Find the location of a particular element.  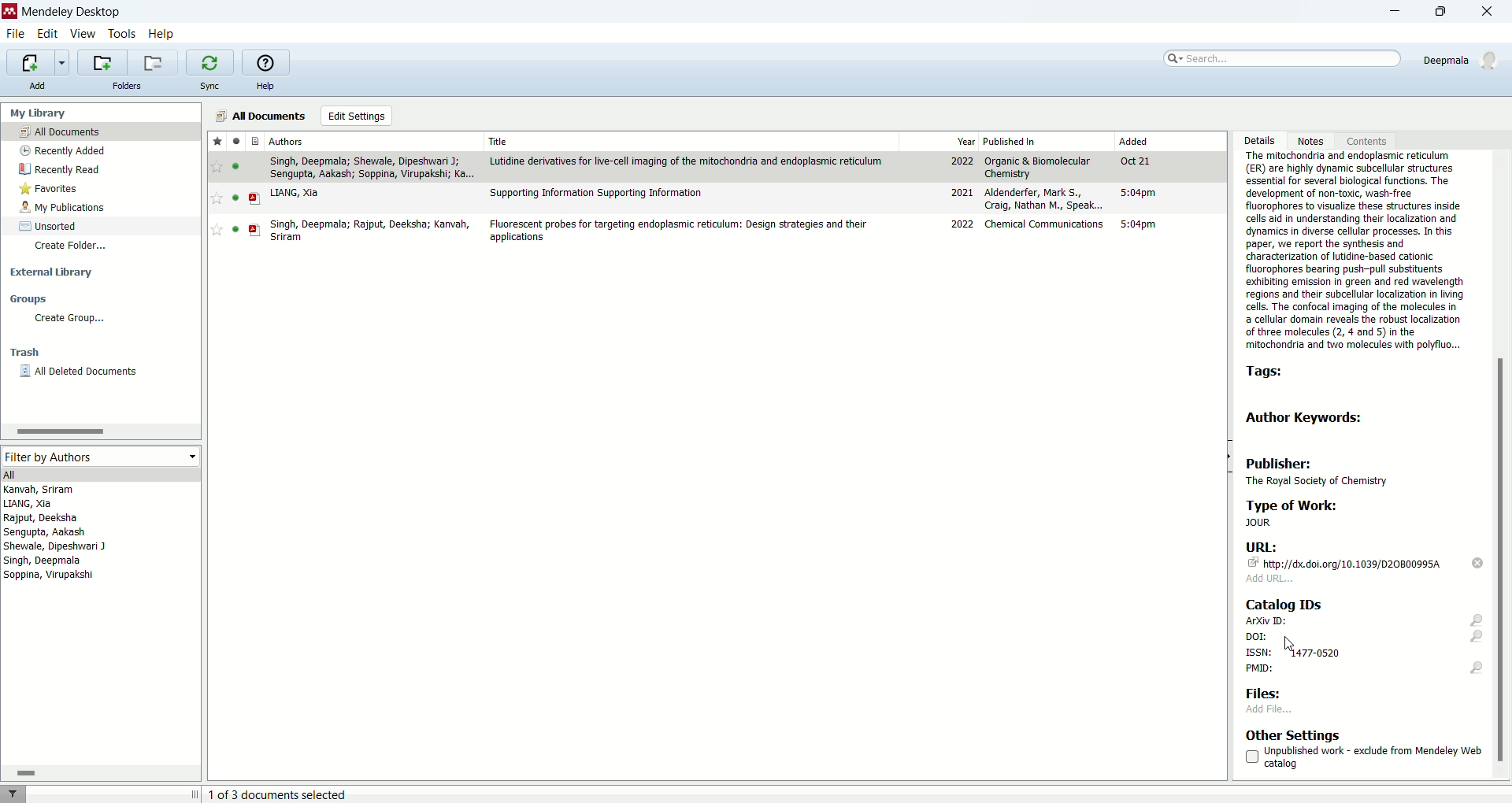

external library is located at coordinates (52, 272).